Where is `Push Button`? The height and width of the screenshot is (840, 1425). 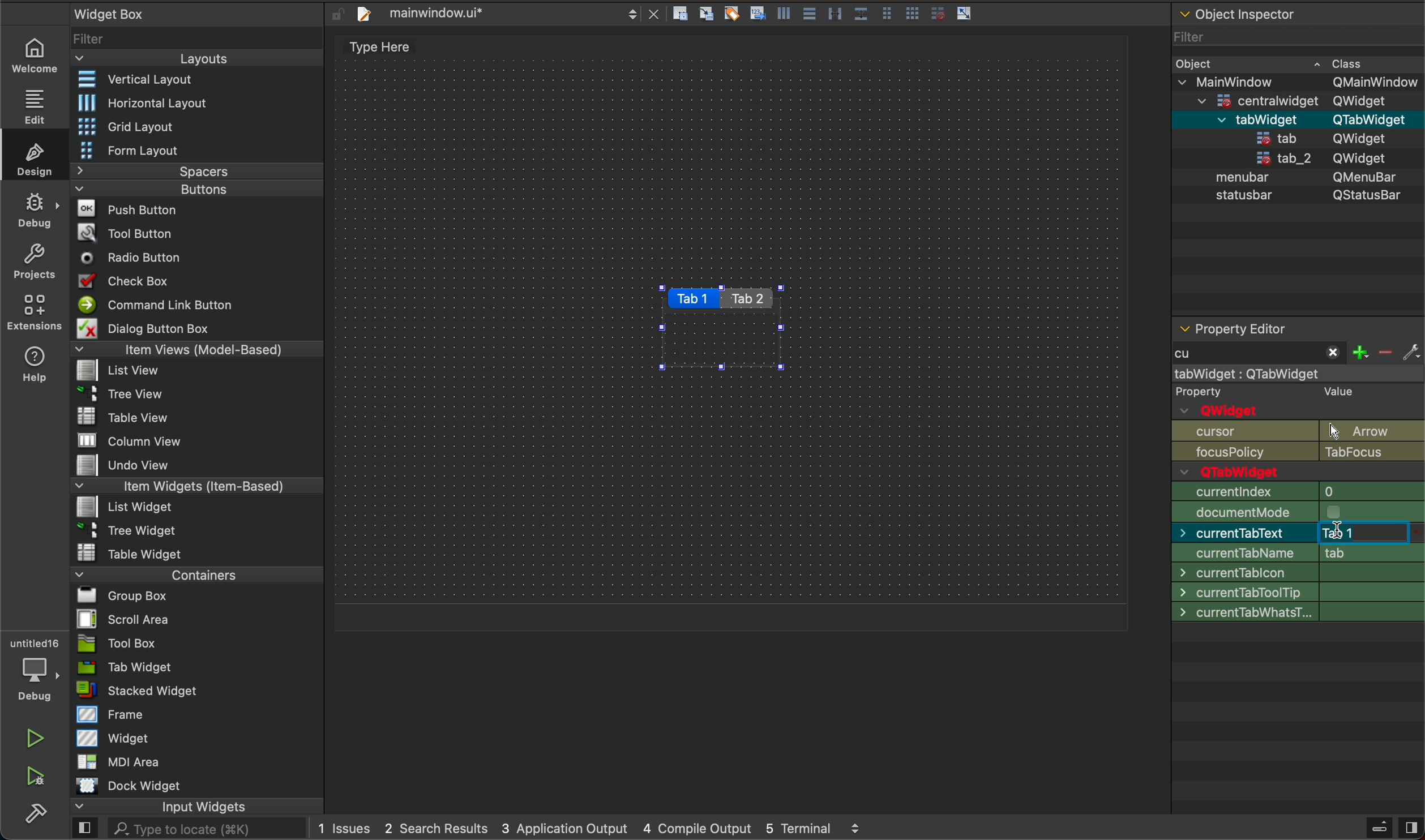 Push Button is located at coordinates (119, 209).